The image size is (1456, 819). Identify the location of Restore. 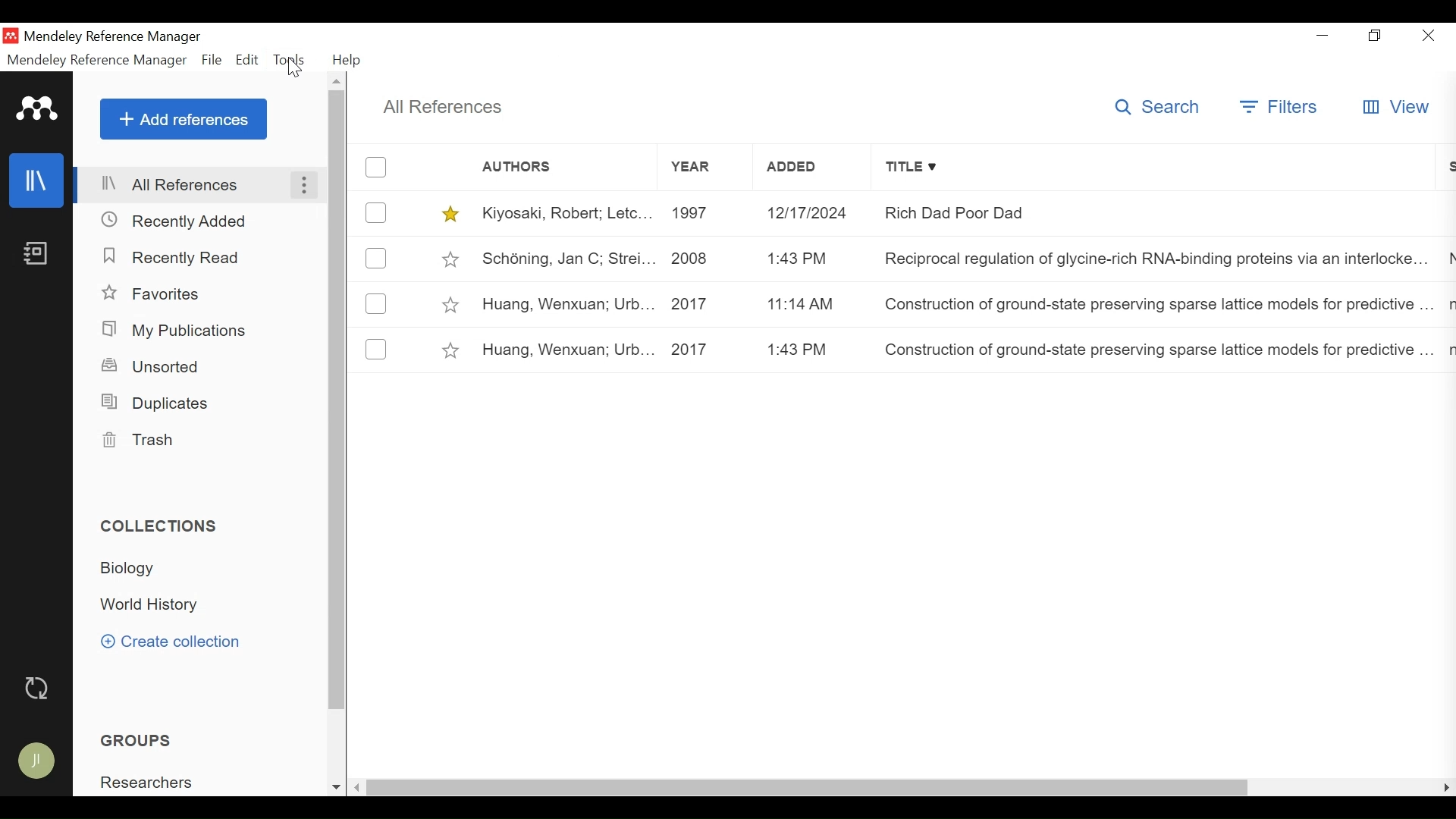
(1378, 36).